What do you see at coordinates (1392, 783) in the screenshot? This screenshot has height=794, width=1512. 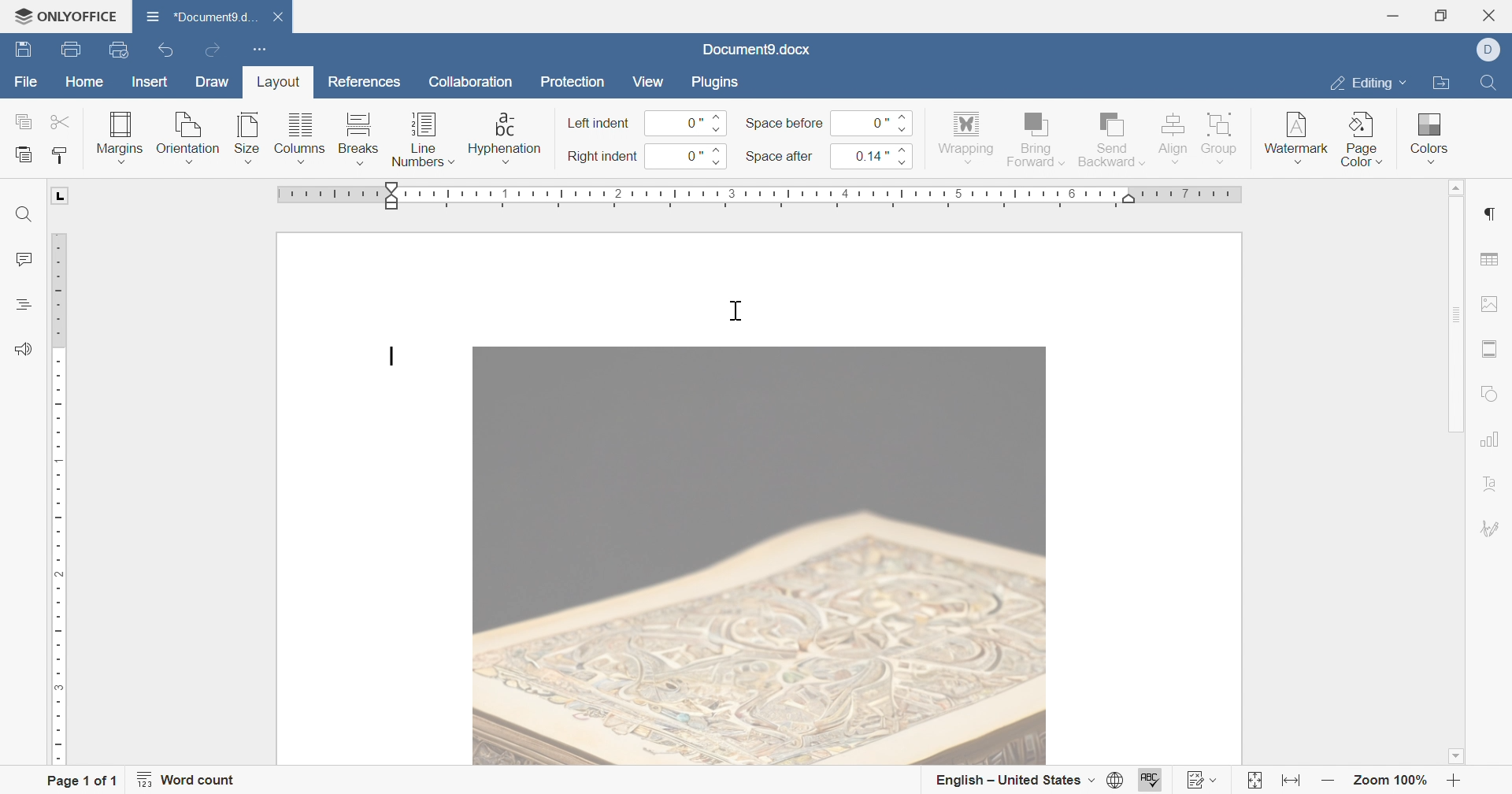 I see `zoom 100%` at bounding box center [1392, 783].